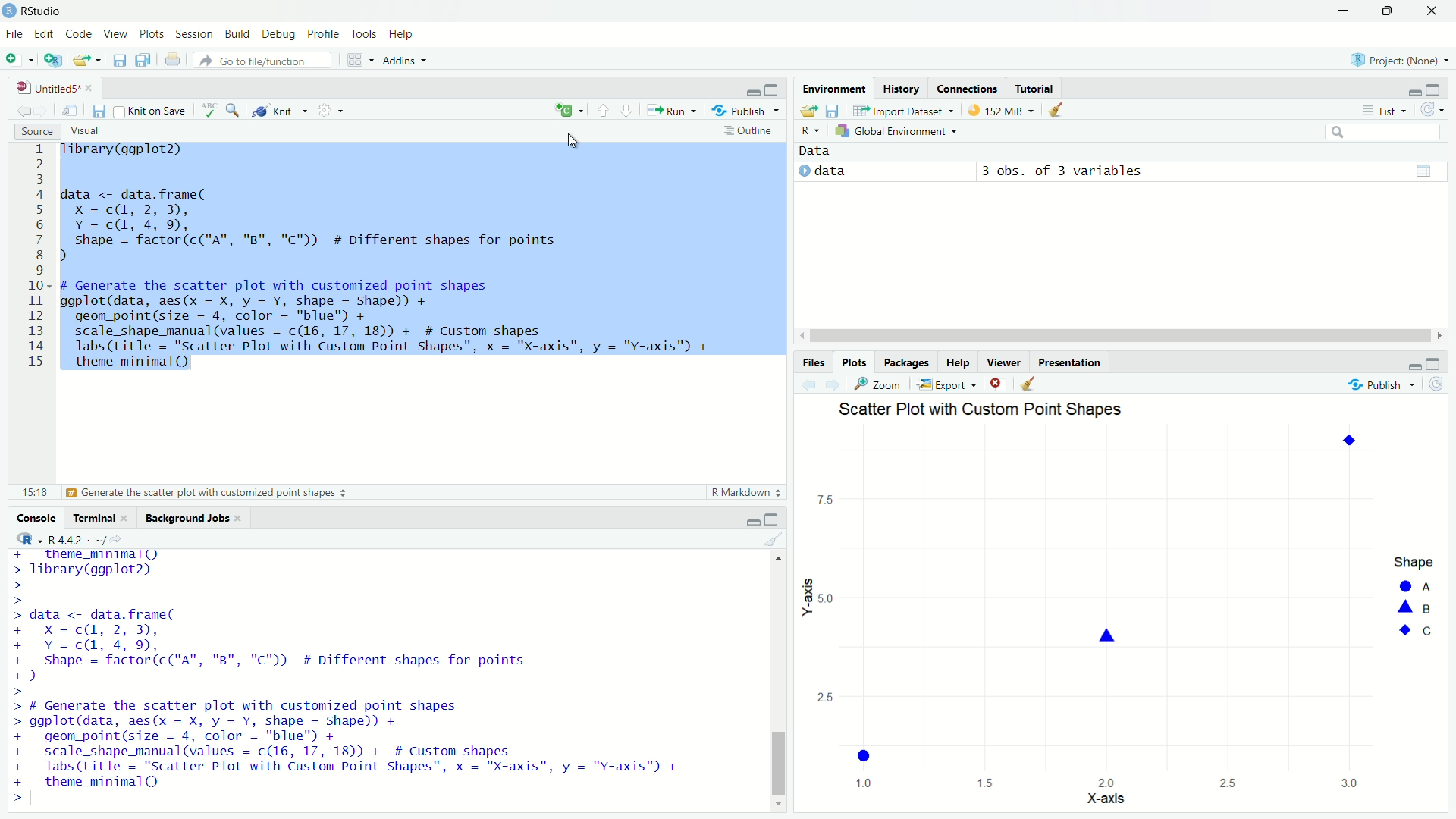 This screenshot has height=819, width=1456. What do you see at coordinates (625, 109) in the screenshot?
I see `Go to next section/chunk` at bounding box center [625, 109].